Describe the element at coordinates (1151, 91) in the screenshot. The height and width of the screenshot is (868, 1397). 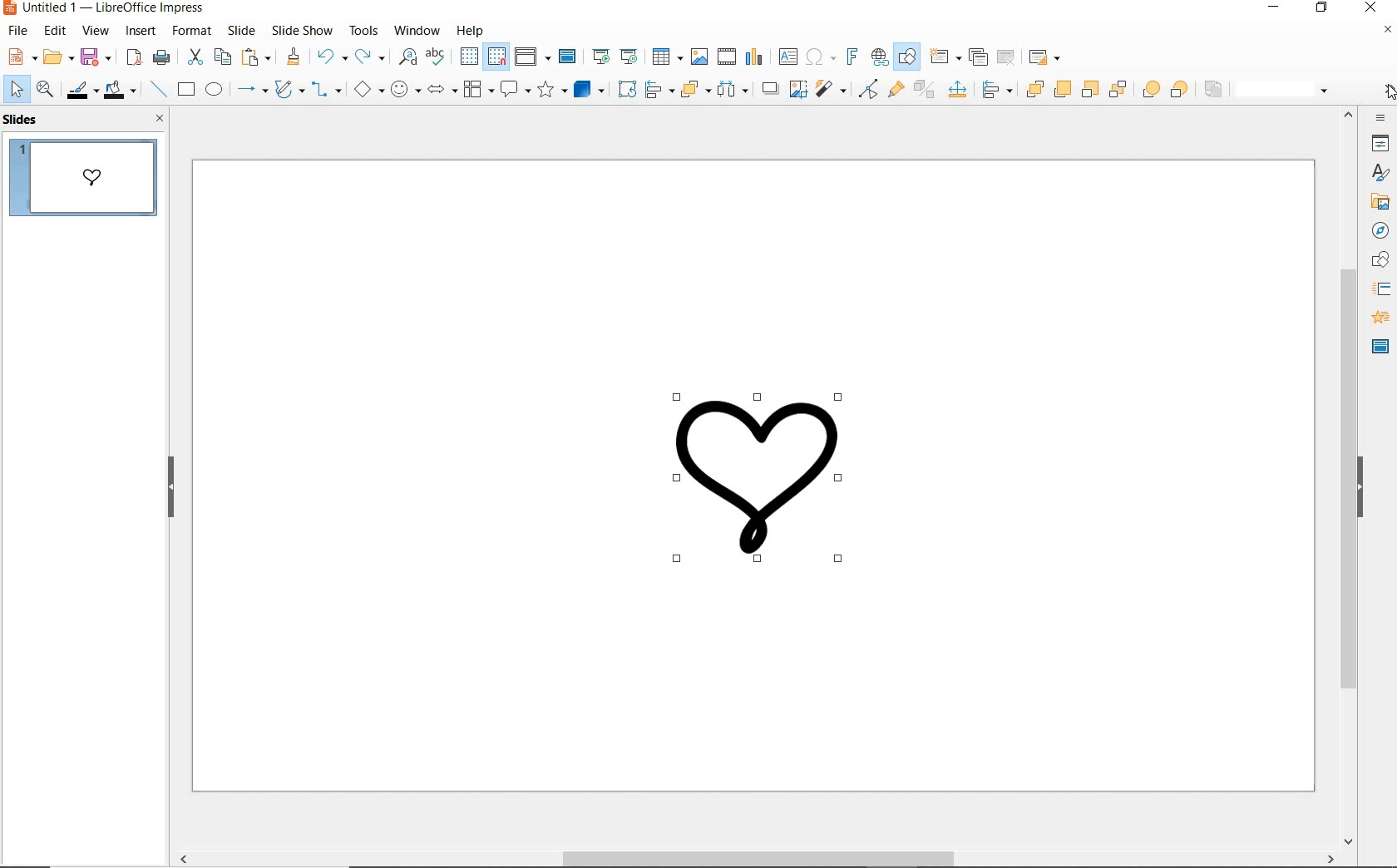
I see `infront object` at that location.